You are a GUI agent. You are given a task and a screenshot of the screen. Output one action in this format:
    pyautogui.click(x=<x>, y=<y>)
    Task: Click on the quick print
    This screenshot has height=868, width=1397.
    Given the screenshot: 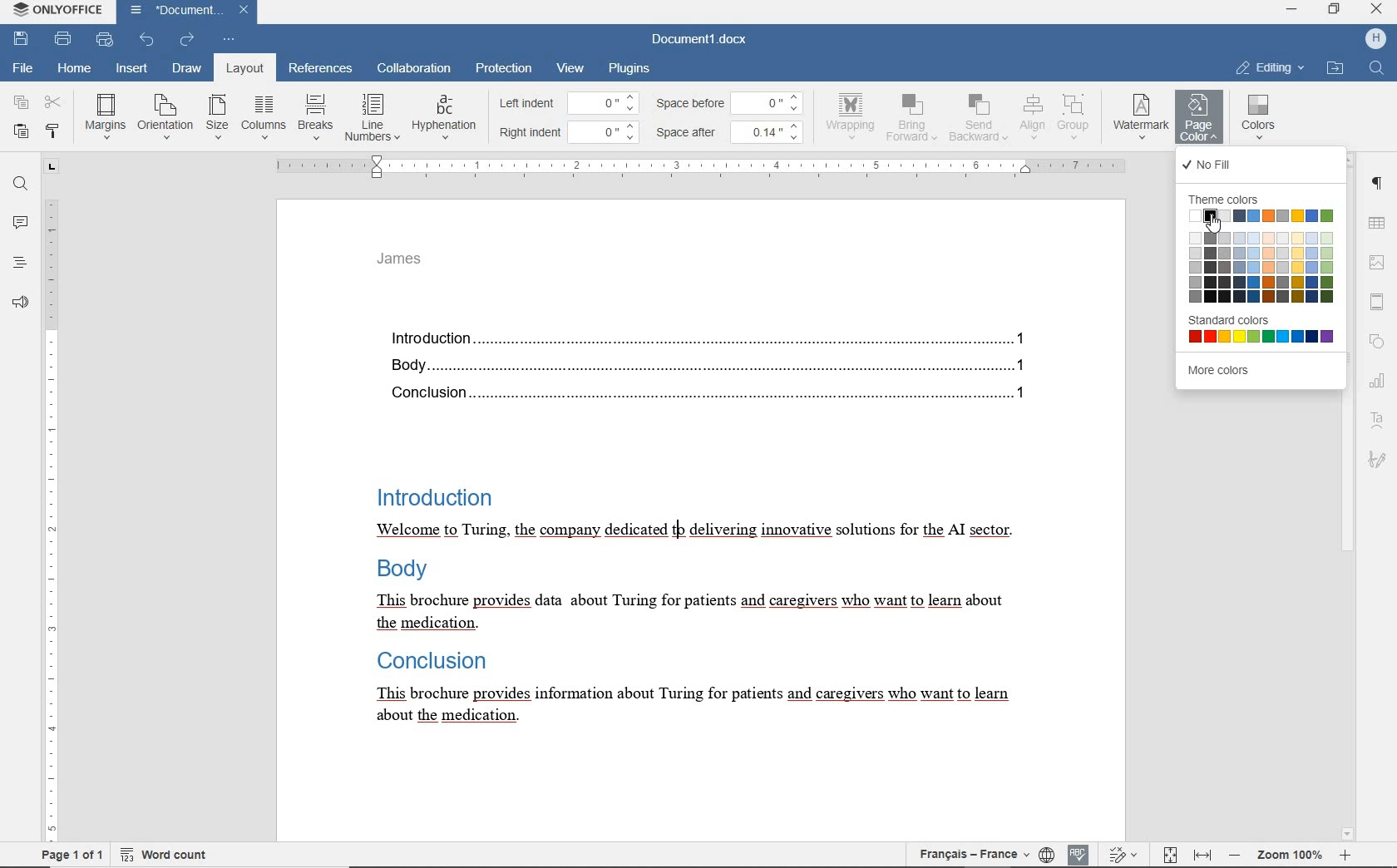 What is the action you would take?
    pyautogui.click(x=105, y=41)
    